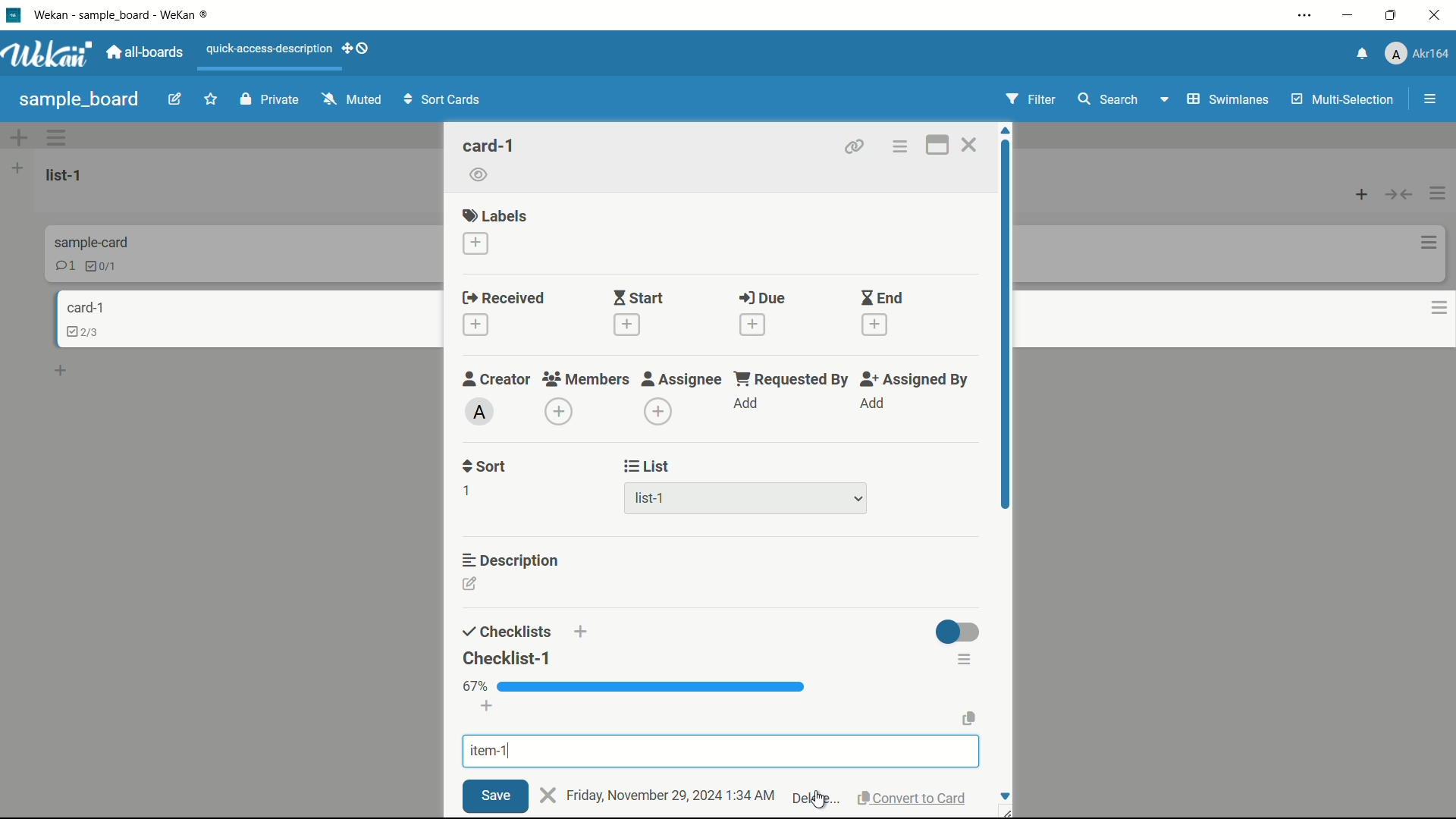 This screenshot has width=1456, height=819. I want to click on add date, so click(627, 327).